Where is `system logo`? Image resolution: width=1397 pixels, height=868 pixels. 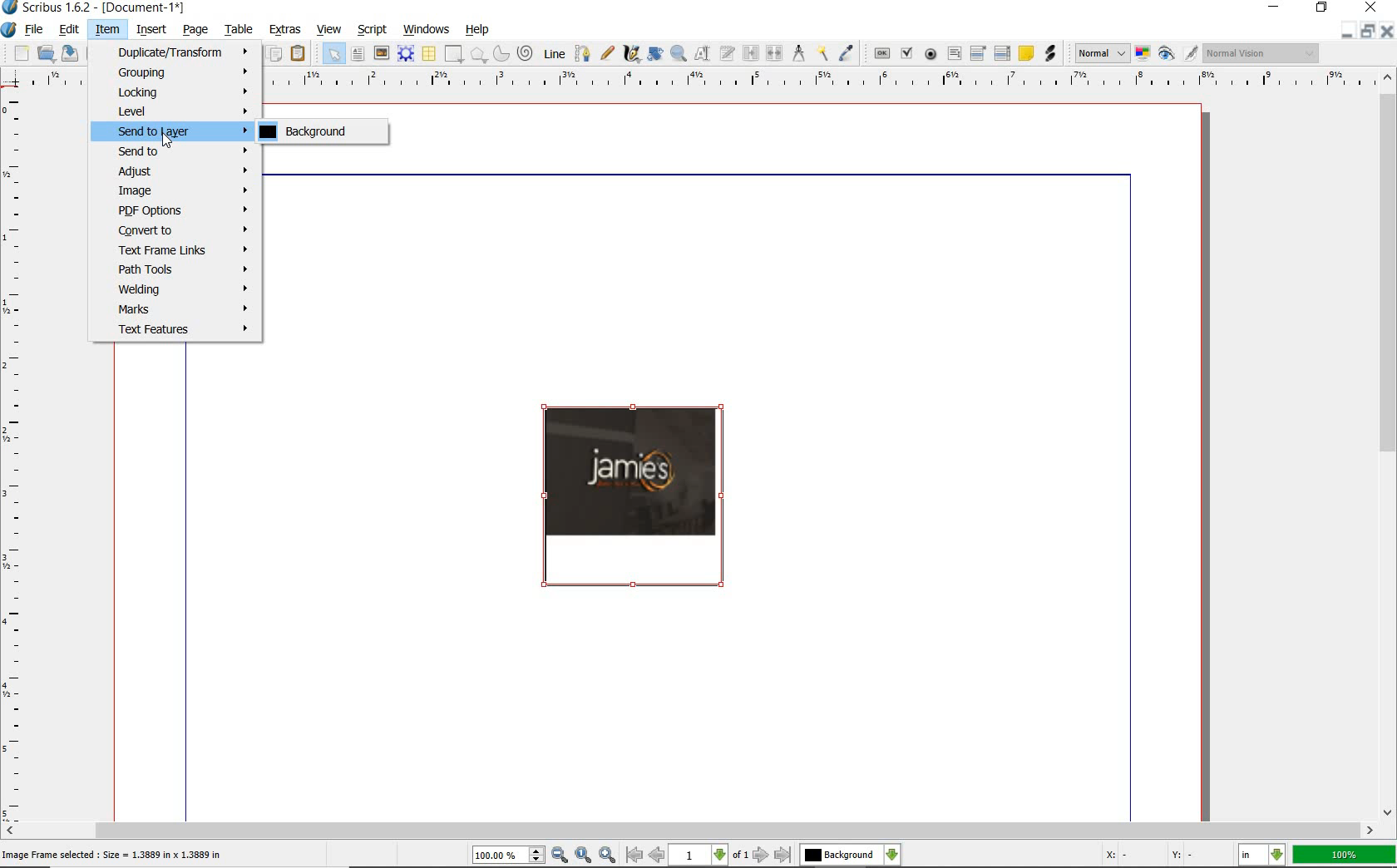 system logo is located at coordinates (8, 29).